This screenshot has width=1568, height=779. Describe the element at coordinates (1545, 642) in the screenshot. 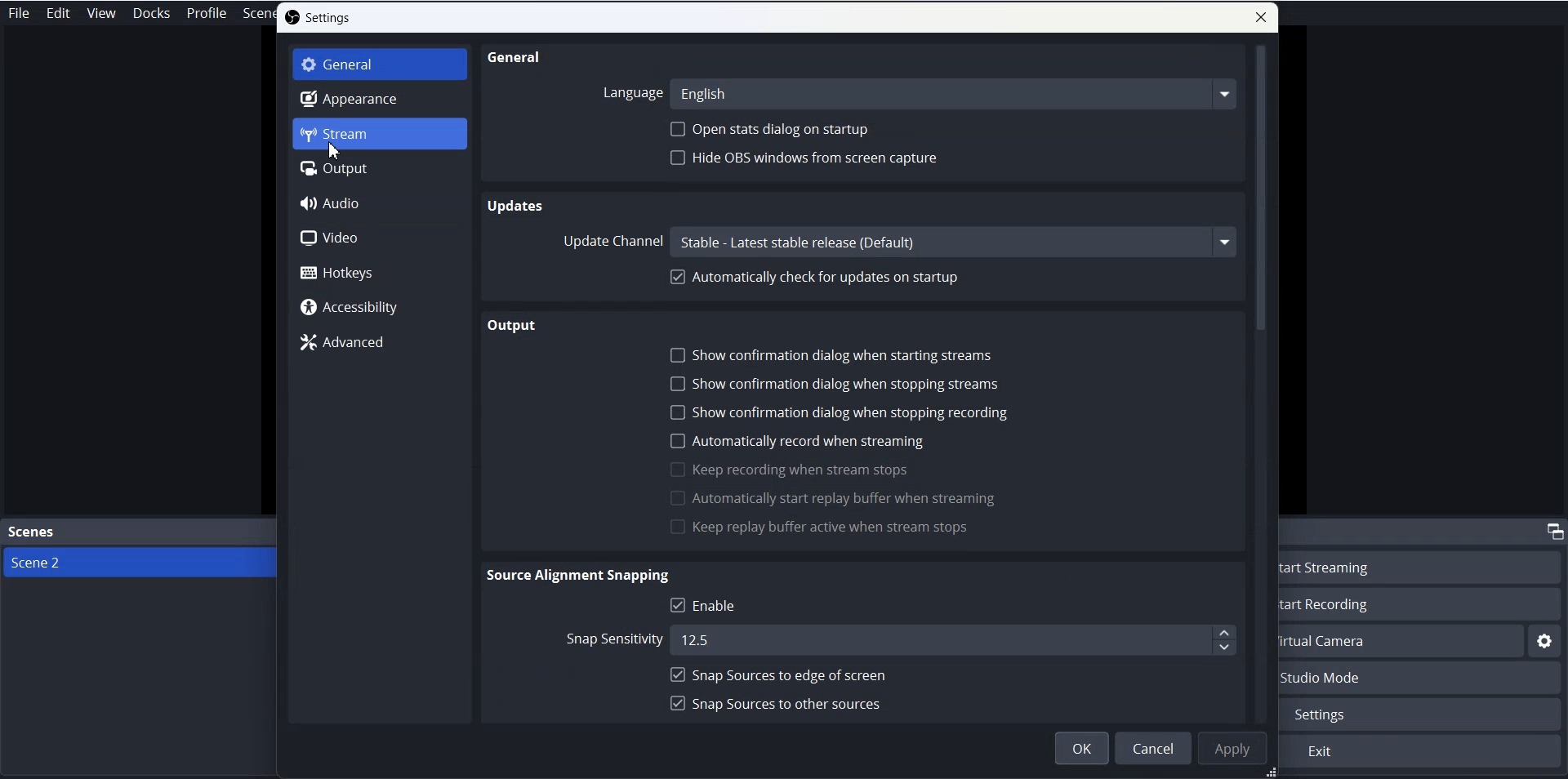

I see `settings` at that location.